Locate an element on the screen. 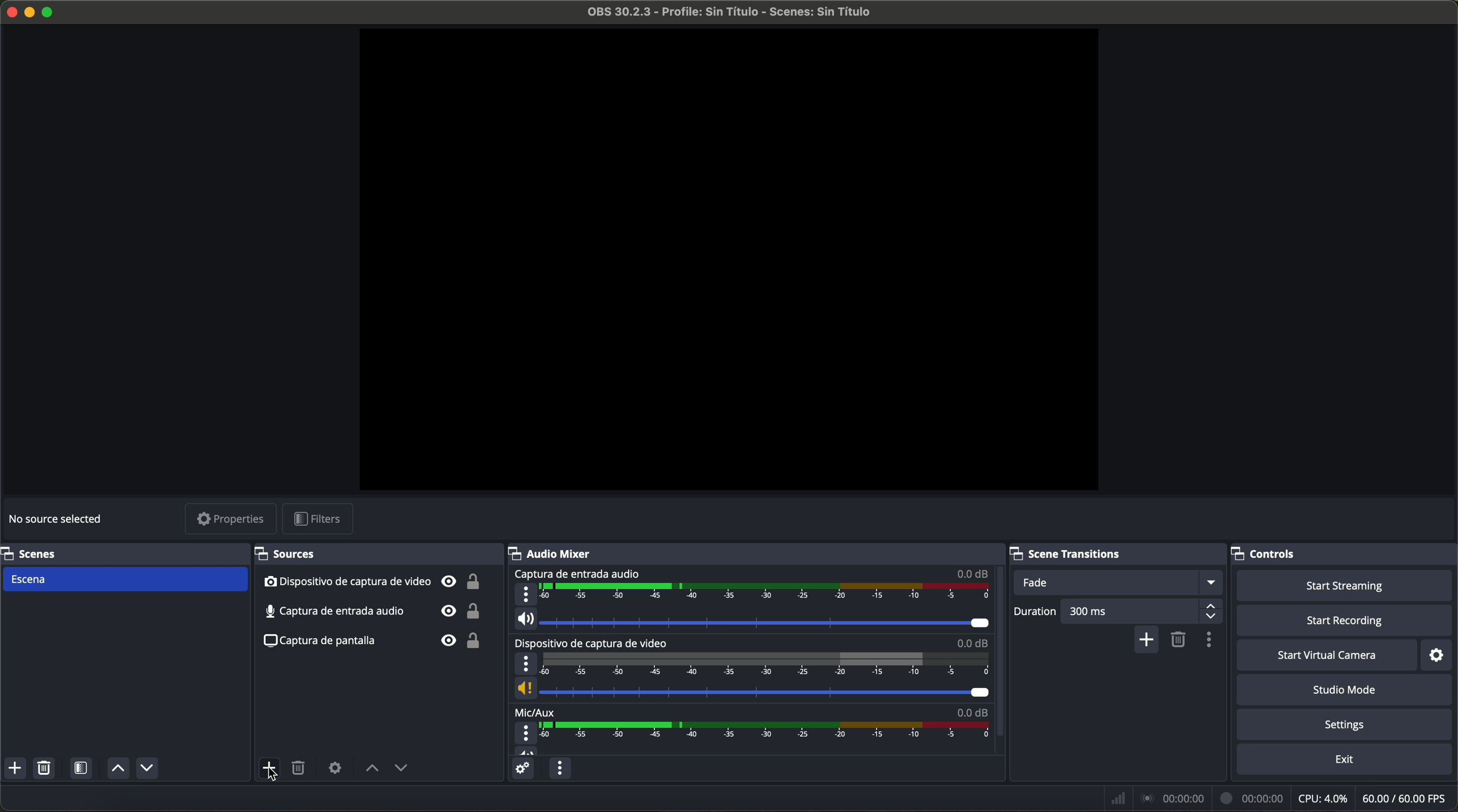  move source up is located at coordinates (372, 768).